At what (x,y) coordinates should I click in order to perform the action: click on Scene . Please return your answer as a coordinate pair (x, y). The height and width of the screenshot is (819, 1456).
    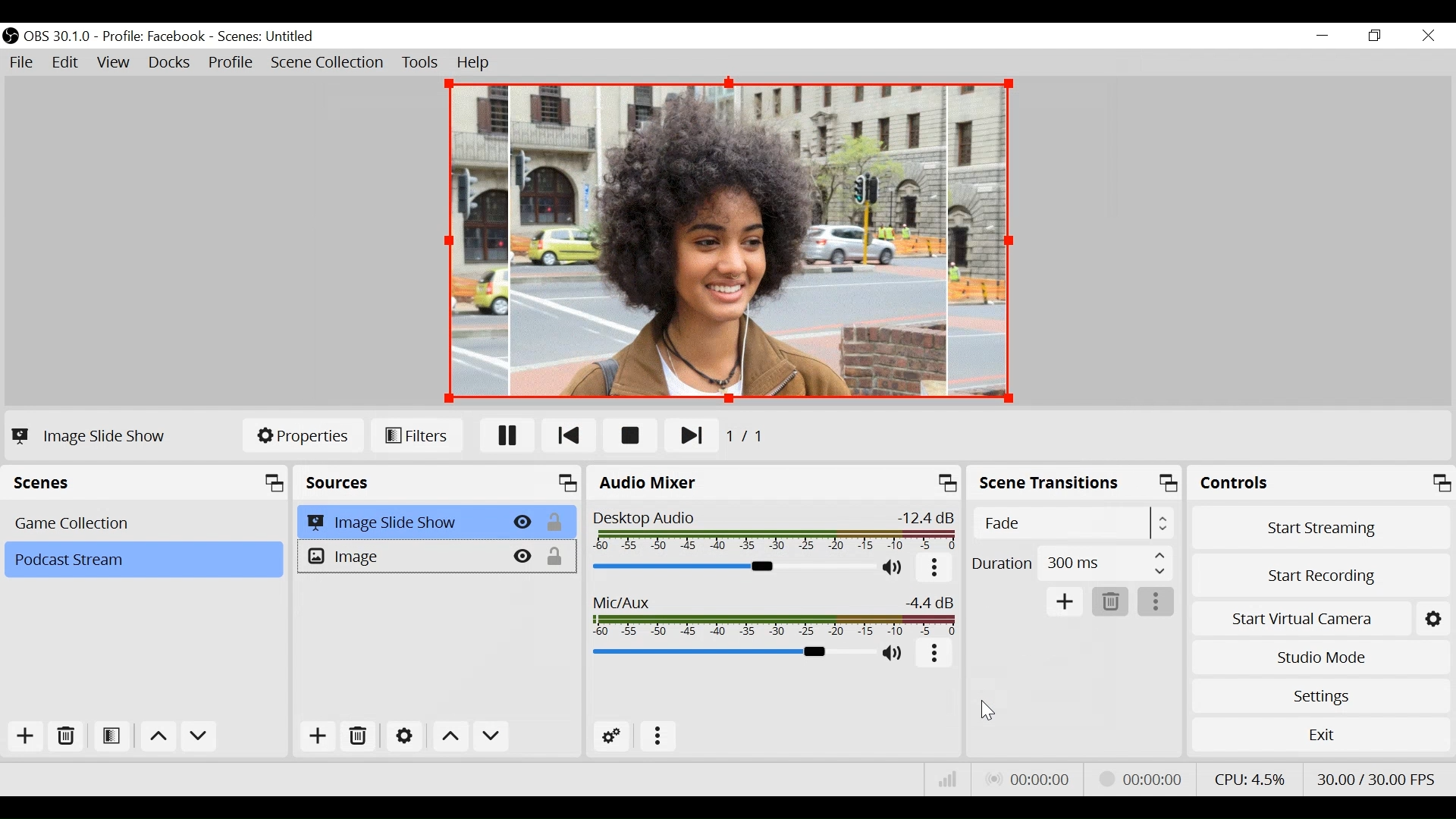
    Looking at the image, I should click on (143, 560).